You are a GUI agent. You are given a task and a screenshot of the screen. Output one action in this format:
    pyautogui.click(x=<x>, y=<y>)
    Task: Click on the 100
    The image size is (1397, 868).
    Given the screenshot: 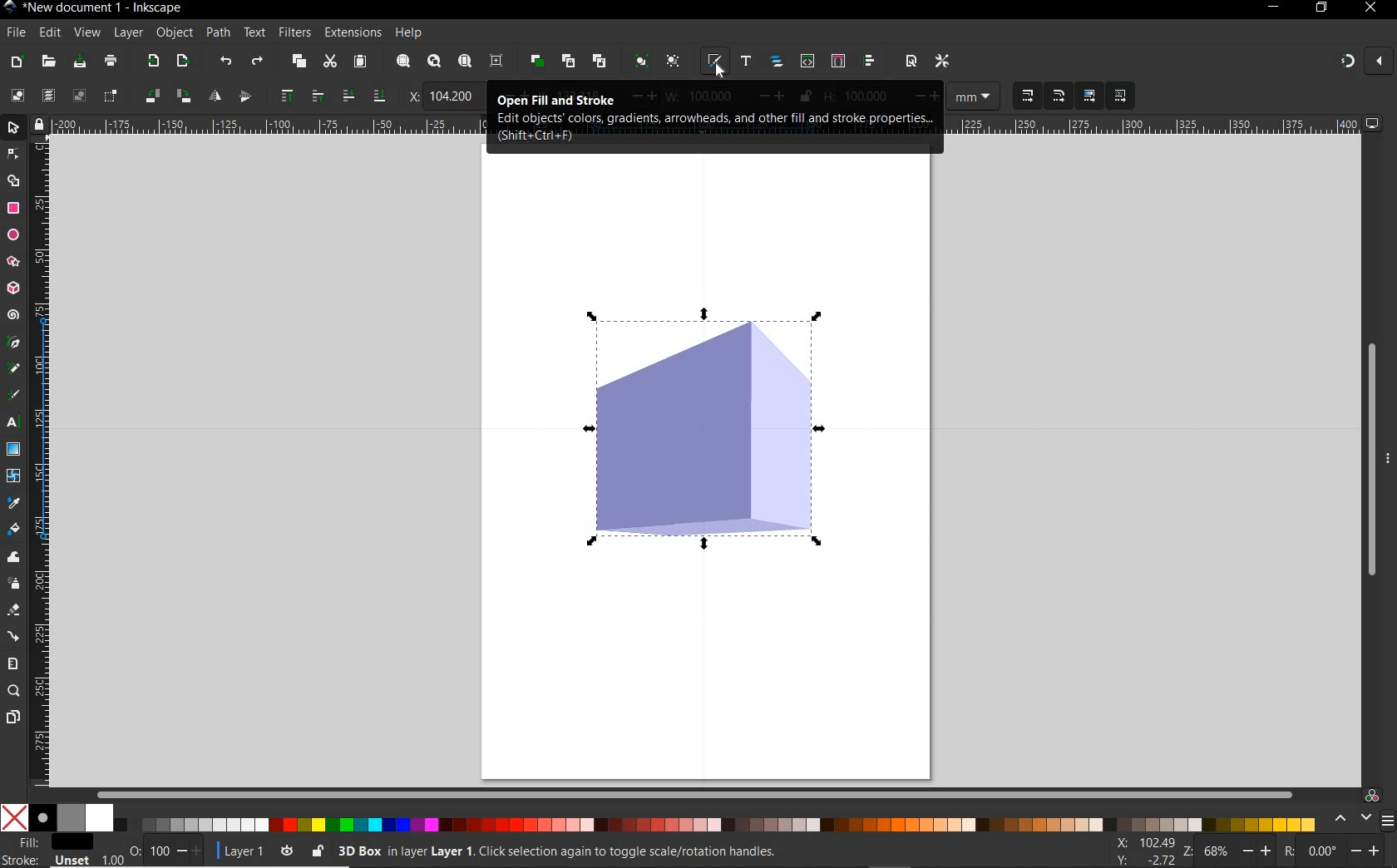 What is the action you would take?
    pyautogui.click(x=157, y=851)
    